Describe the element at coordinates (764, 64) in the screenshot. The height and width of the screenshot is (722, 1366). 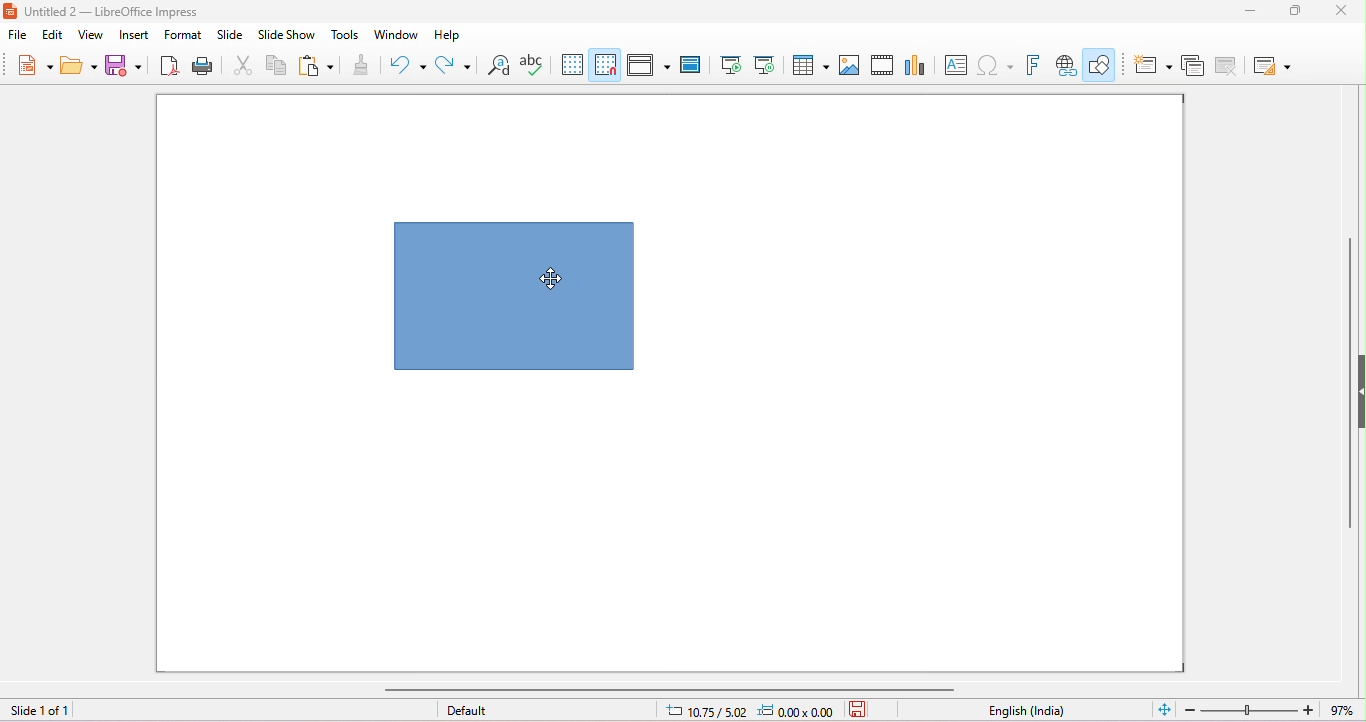
I see `start from current` at that location.